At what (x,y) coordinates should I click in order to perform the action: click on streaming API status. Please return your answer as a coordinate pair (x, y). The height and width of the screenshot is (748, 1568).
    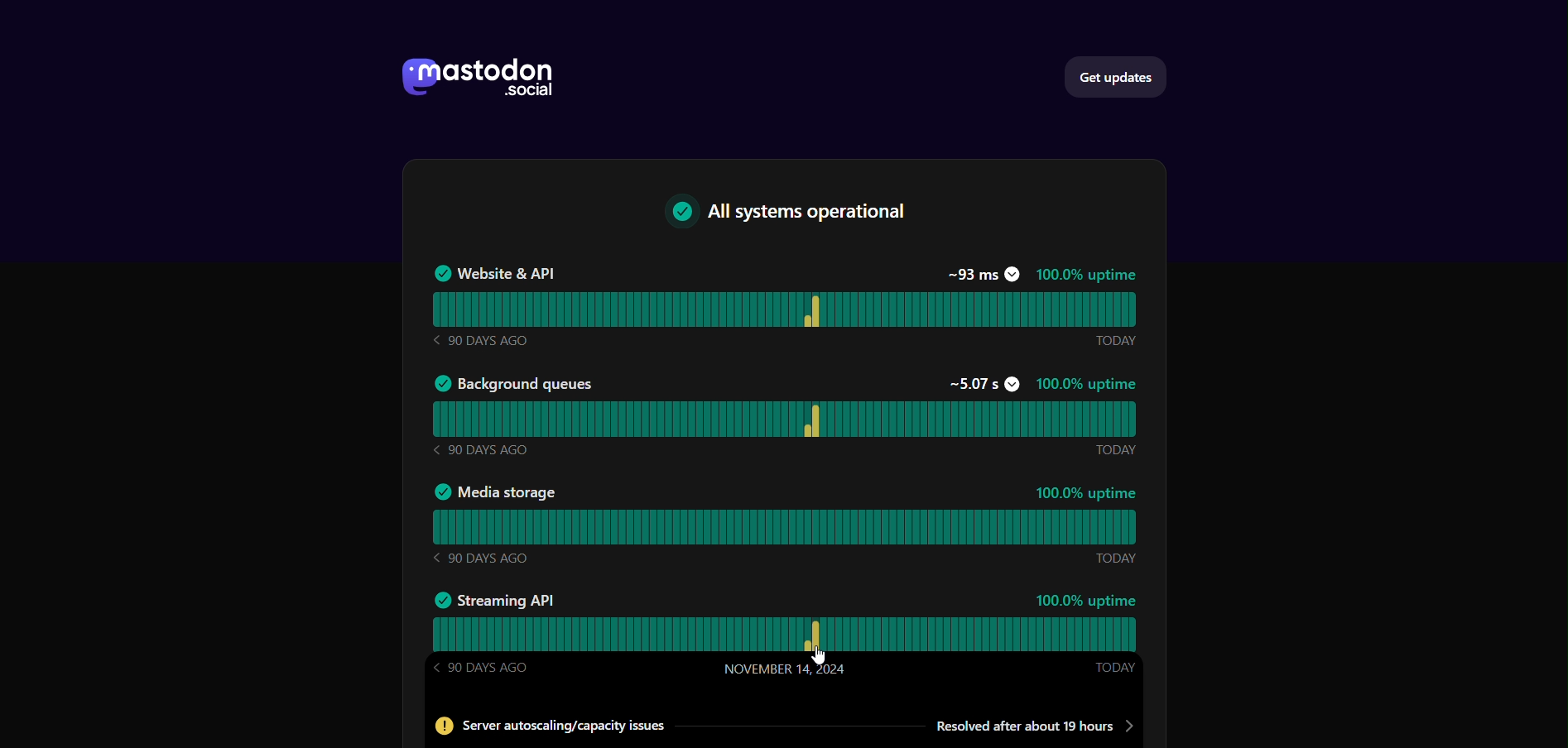
    Looking at the image, I should click on (786, 635).